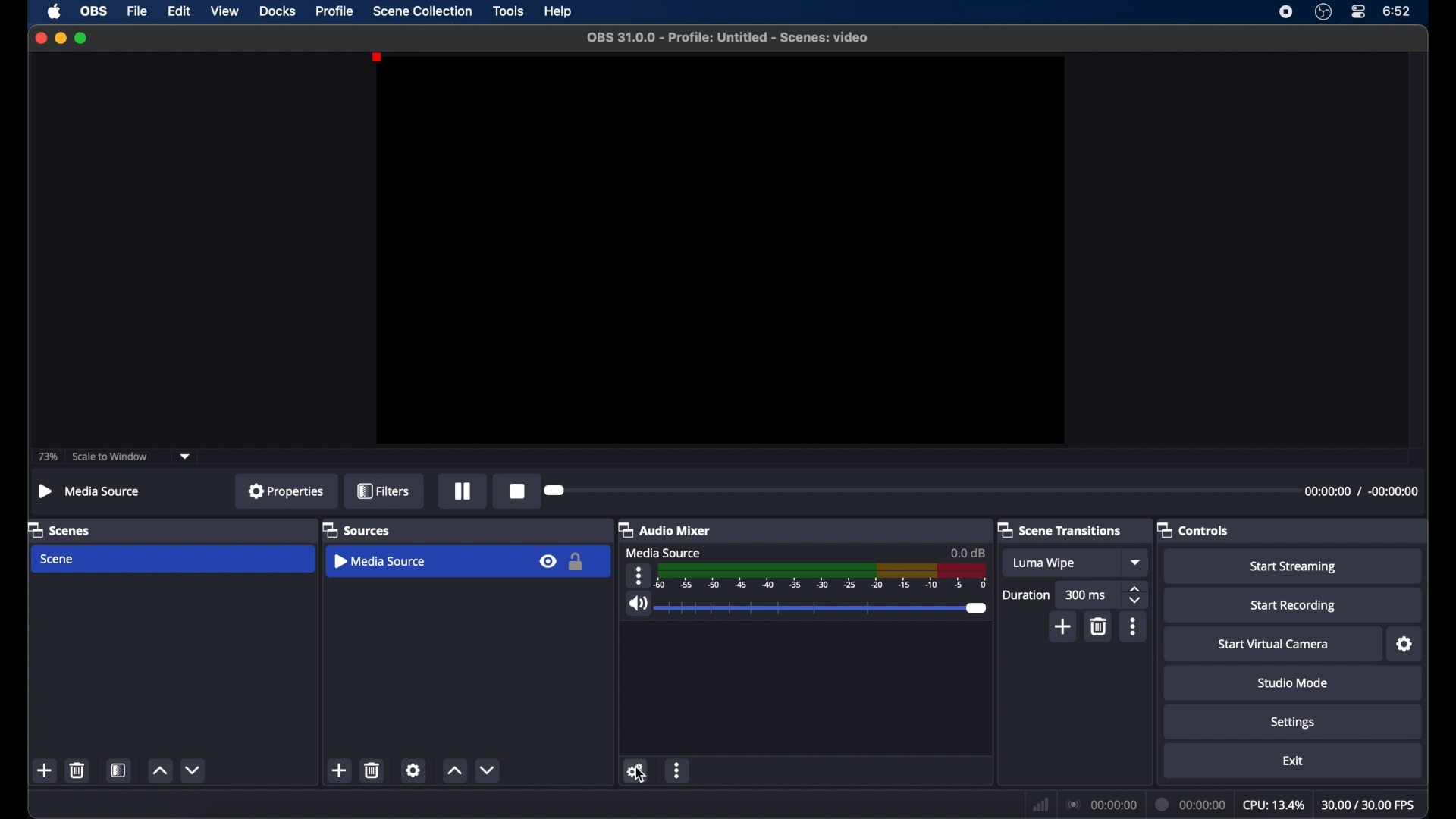 The width and height of the screenshot is (1456, 819). Describe the element at coordinates (1041, 805) in the screenshot. I see `network` at that location.